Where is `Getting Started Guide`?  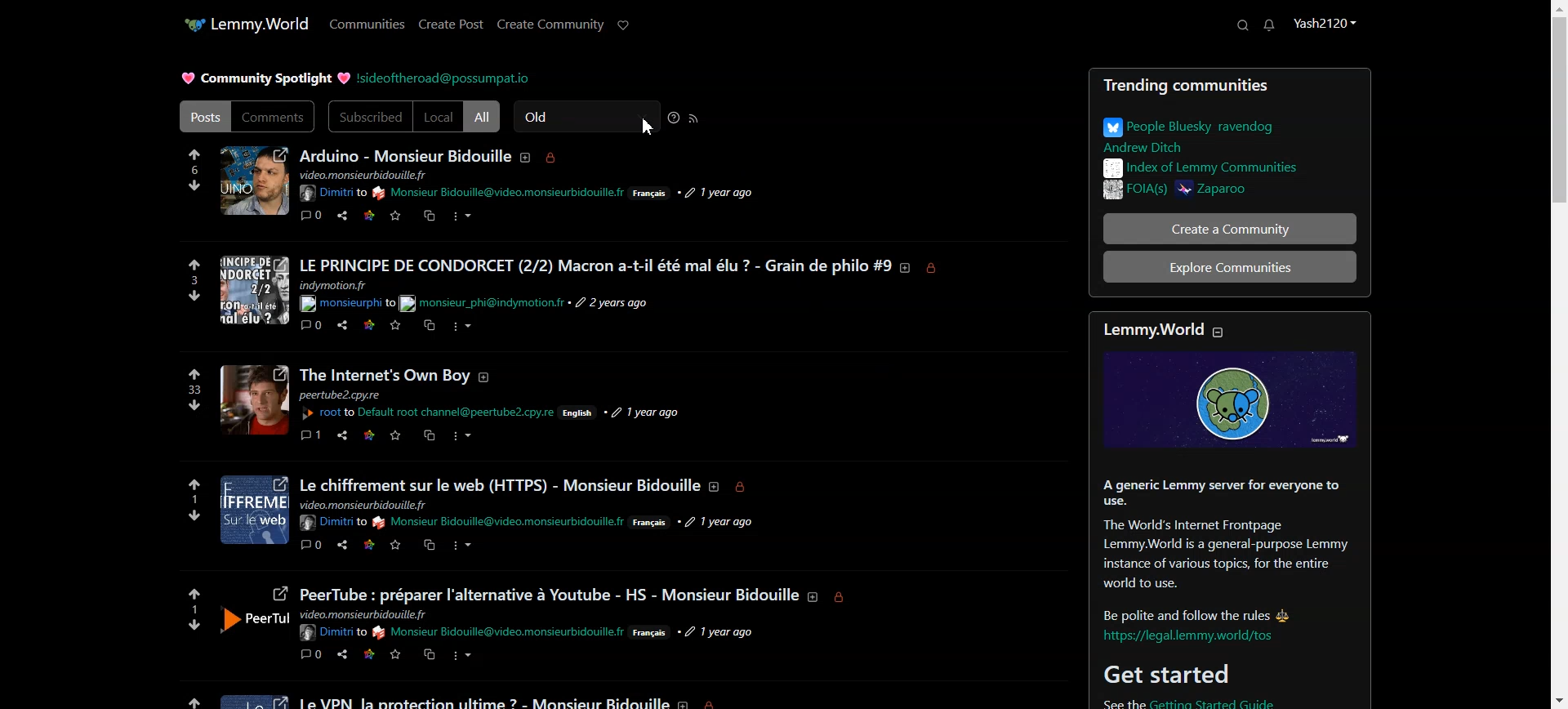 Getting Started Guide is located at coordinates (1243, 702).